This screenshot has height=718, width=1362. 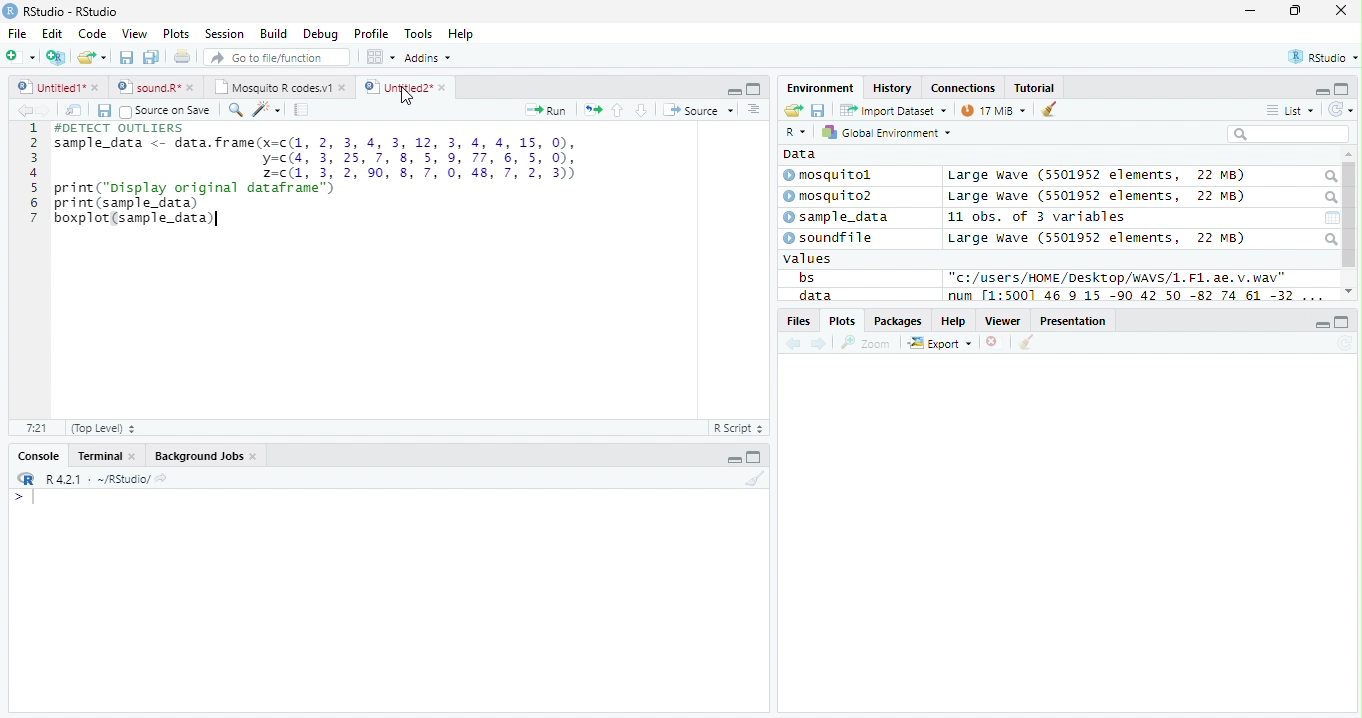 I want to click on zoom, so click(x=866, y=342).